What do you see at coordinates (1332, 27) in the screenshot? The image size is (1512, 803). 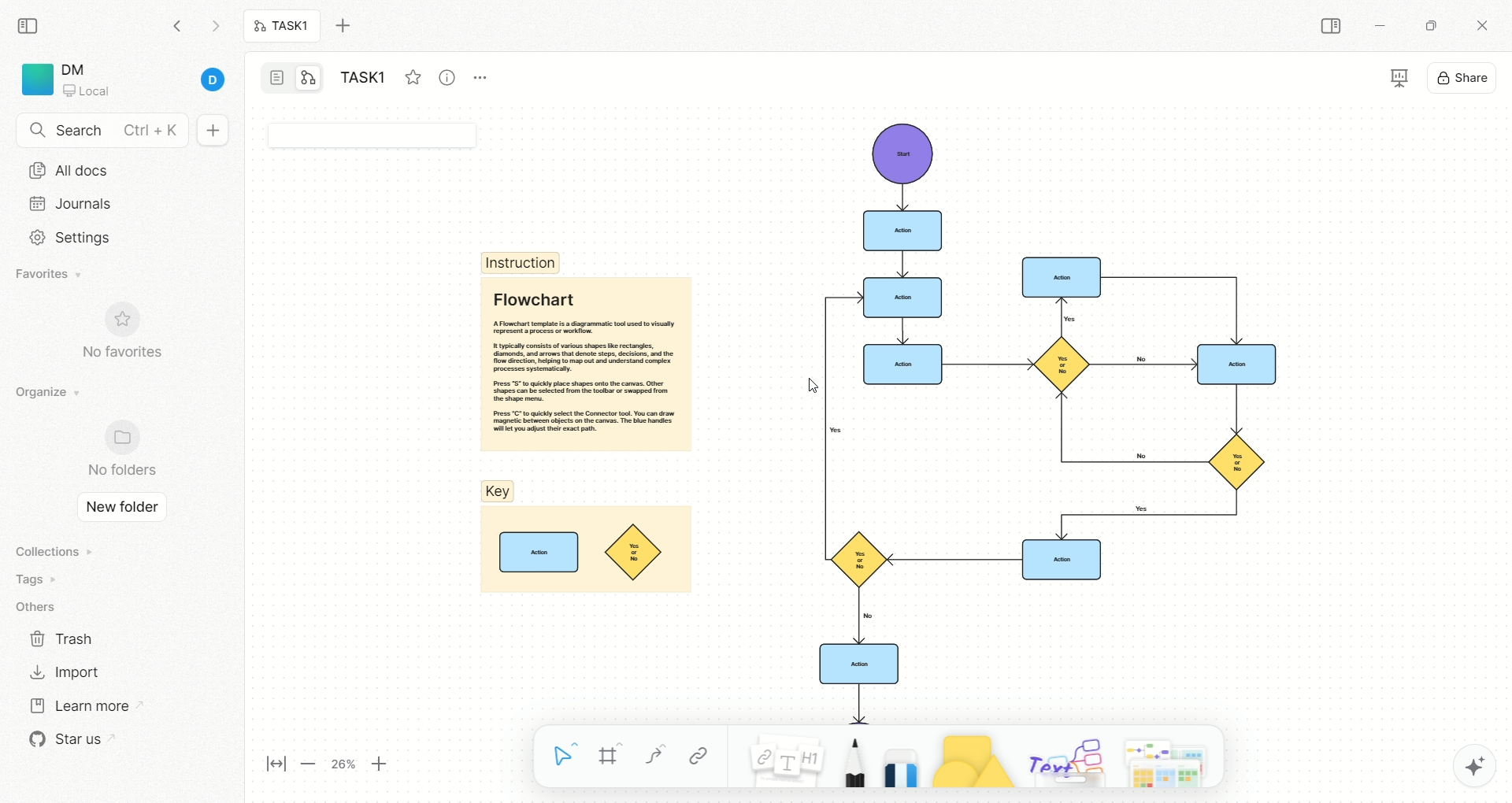 I see `COLLAPSE SIDEBAR` at bounding box center [1332, 27].